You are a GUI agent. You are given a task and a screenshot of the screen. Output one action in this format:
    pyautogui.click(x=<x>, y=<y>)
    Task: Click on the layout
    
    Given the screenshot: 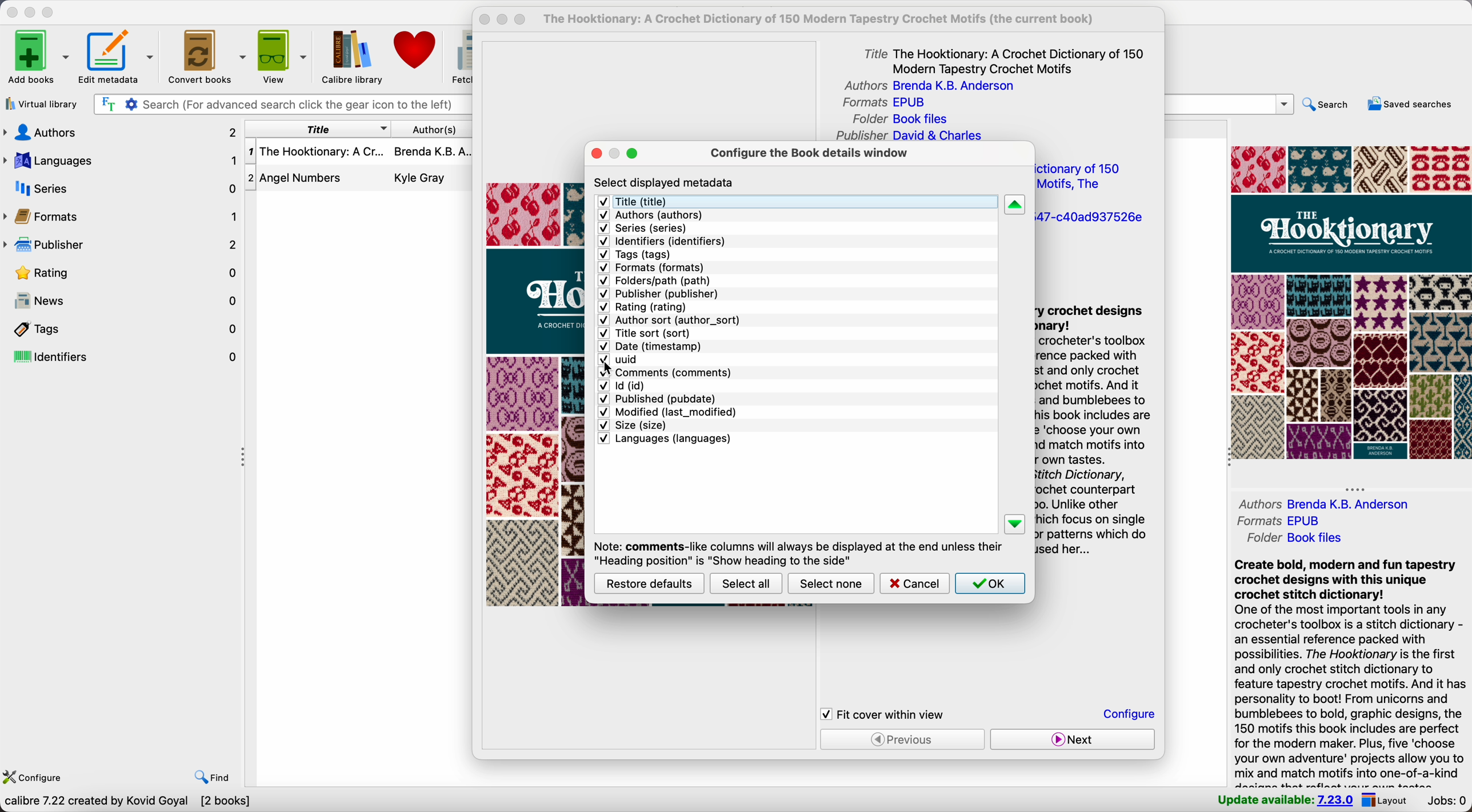 What is the action you would take?
    pyautogui.click(x=1384, y=799)
    